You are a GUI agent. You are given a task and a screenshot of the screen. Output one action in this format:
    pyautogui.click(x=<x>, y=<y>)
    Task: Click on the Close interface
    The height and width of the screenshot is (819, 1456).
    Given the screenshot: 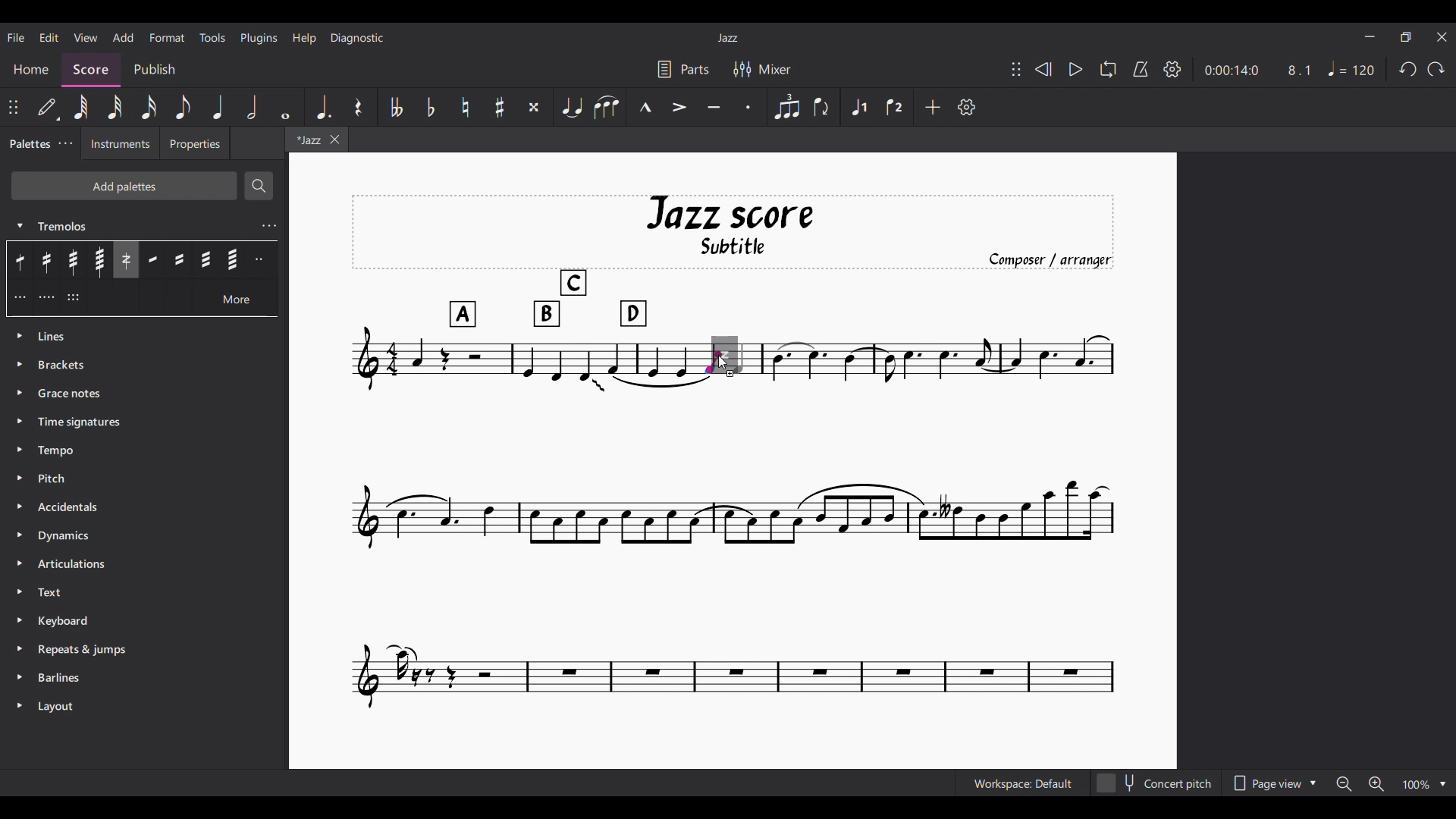 What is the action you would take?
    pyautogui.click(x=1442, y=36)
    